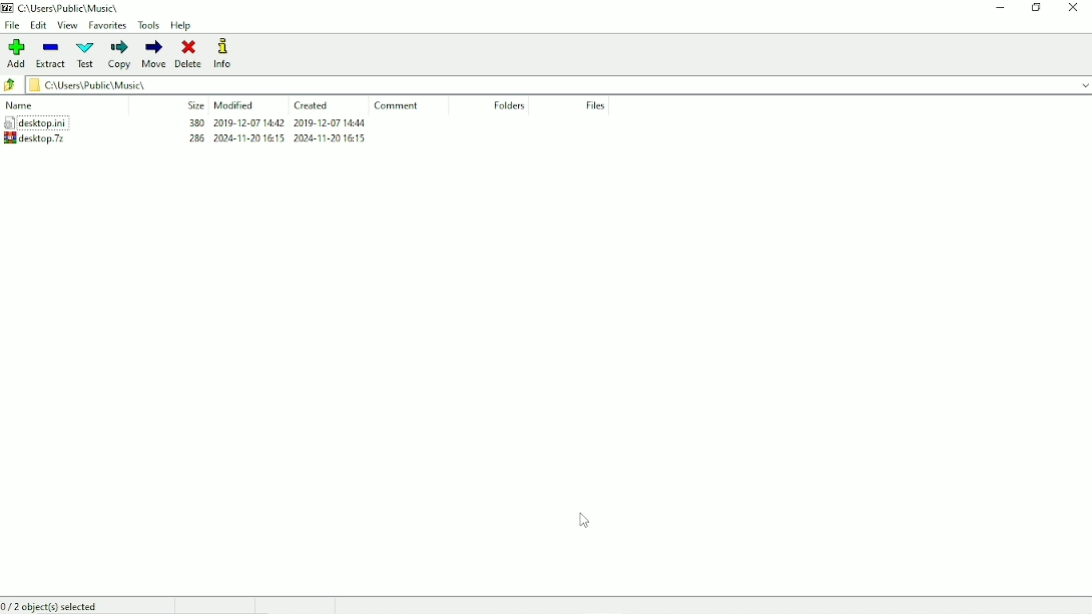 The width and height of the screenshot is (1092, 614). Describe the element at coordinates (53, 606) in the screenshot. I see `0/2 object(s) selected` at that location.